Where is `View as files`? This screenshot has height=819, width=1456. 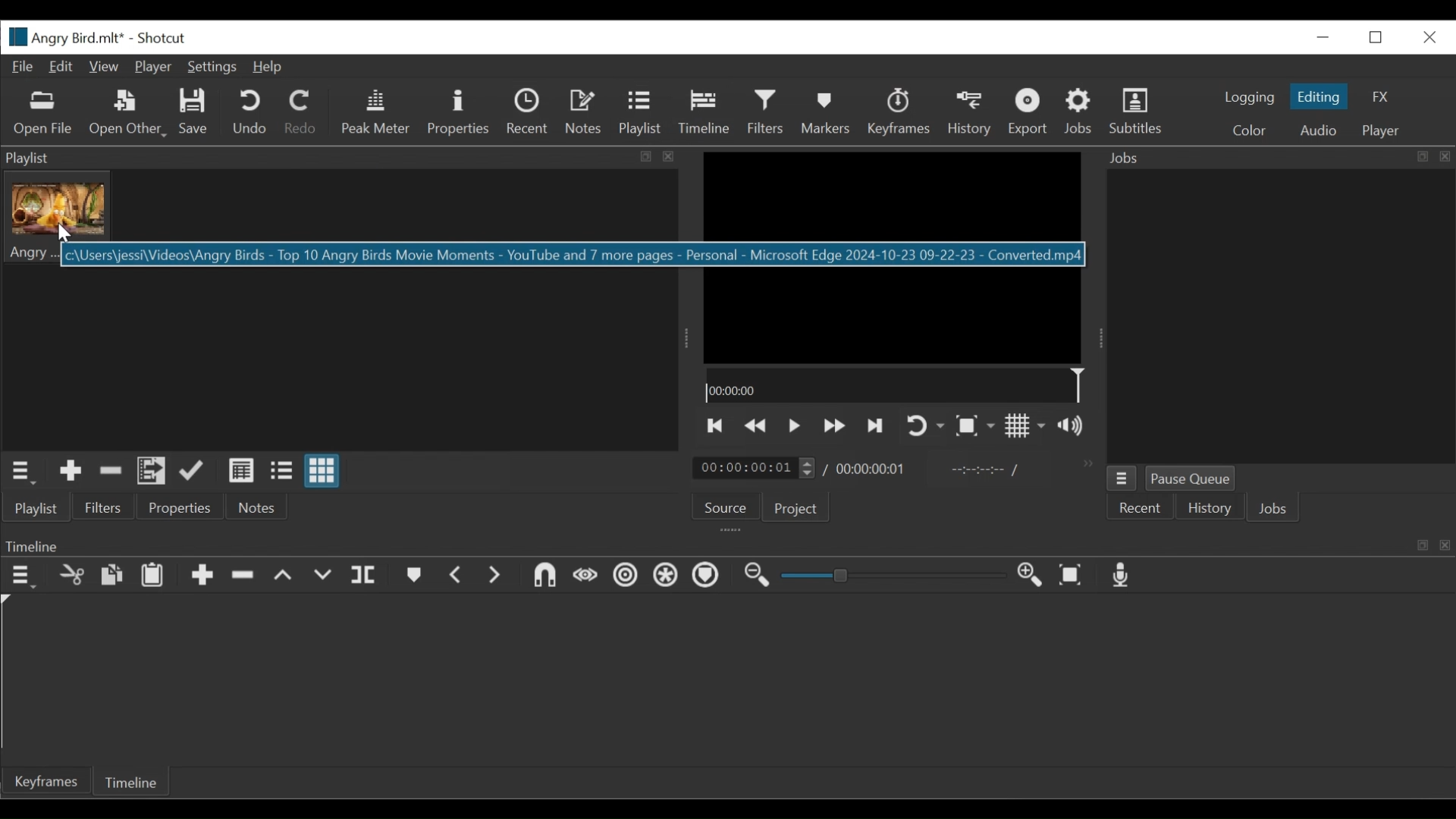 View as files is located at coordinates (284, 472).